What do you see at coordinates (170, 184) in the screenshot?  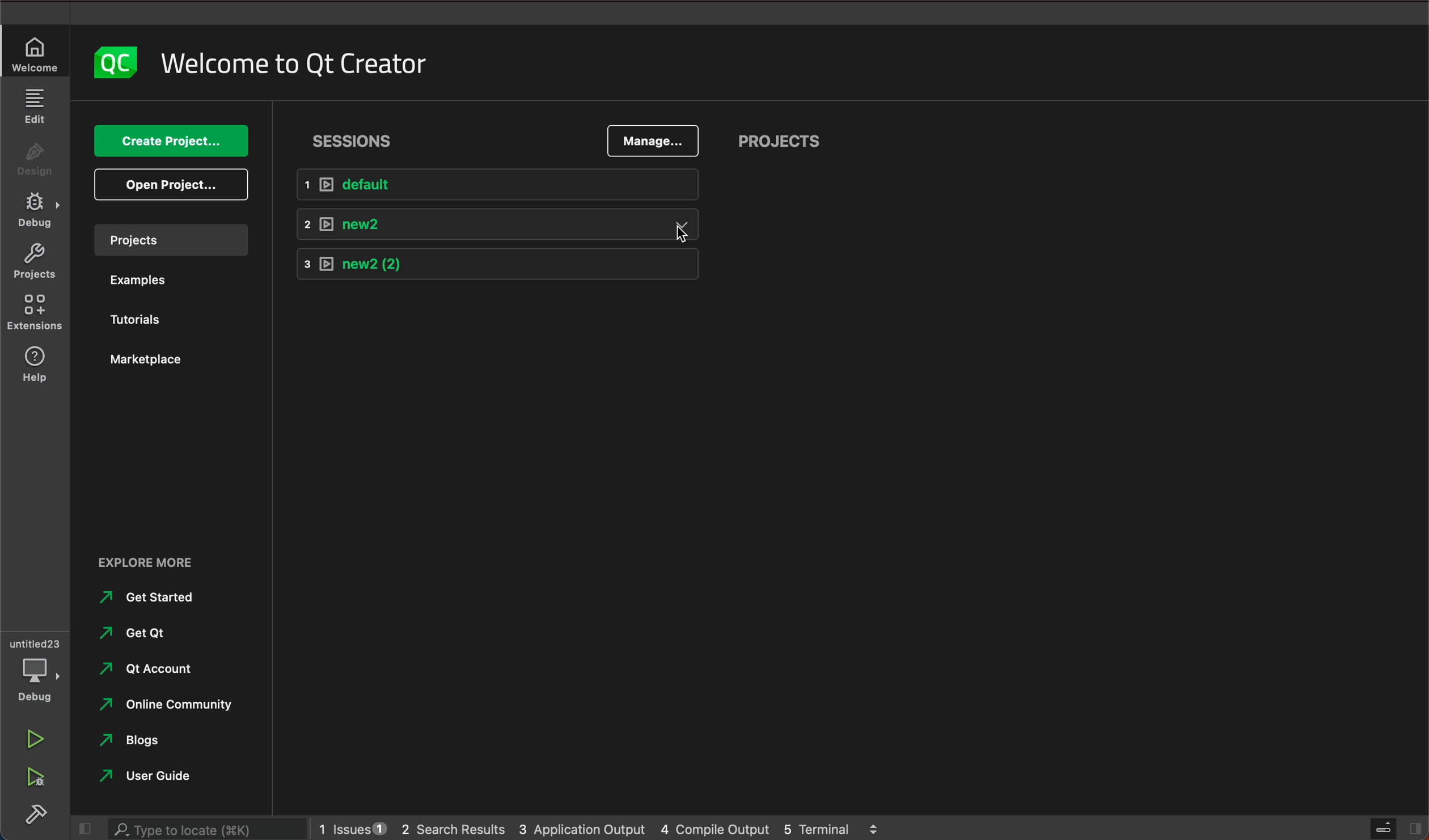 I see `open` at bounding box center [170, 184].